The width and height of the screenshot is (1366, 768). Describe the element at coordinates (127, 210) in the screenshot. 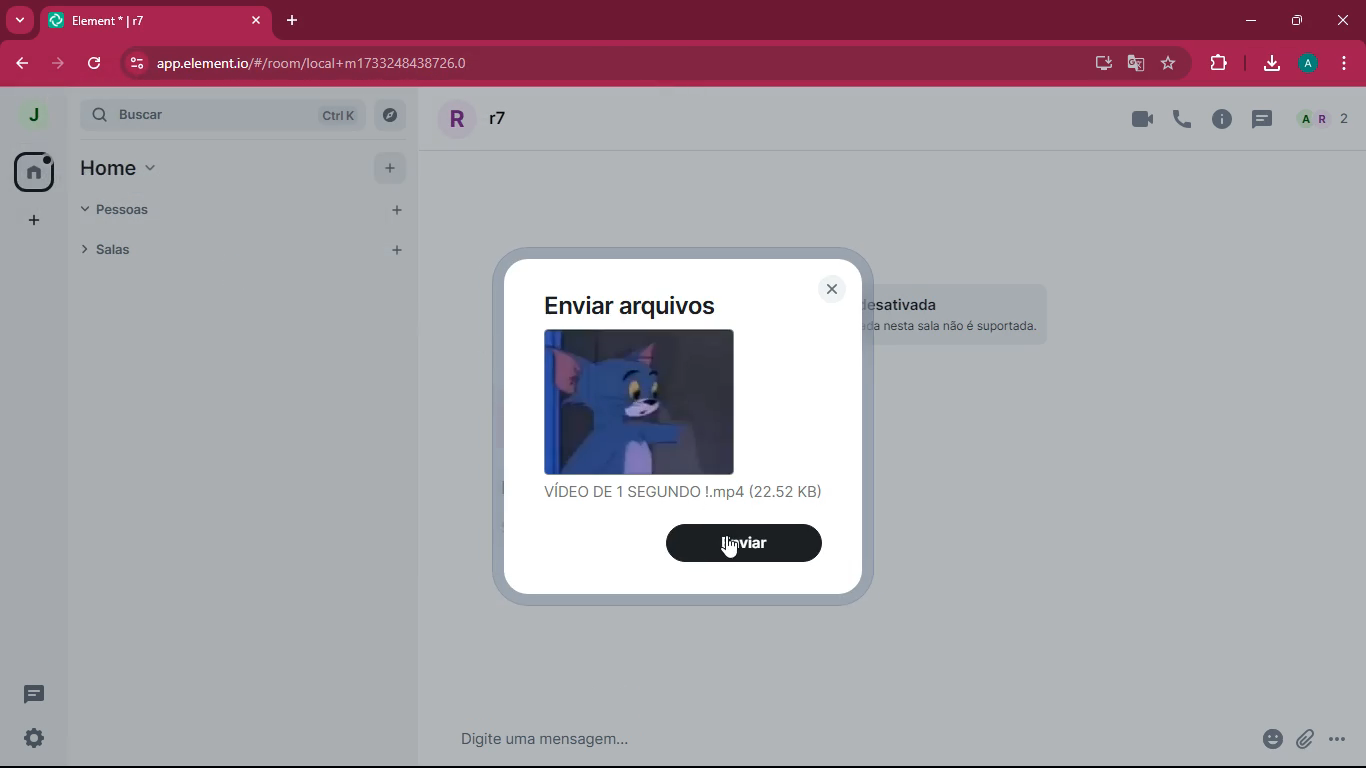

I see `pessoas` at that location.